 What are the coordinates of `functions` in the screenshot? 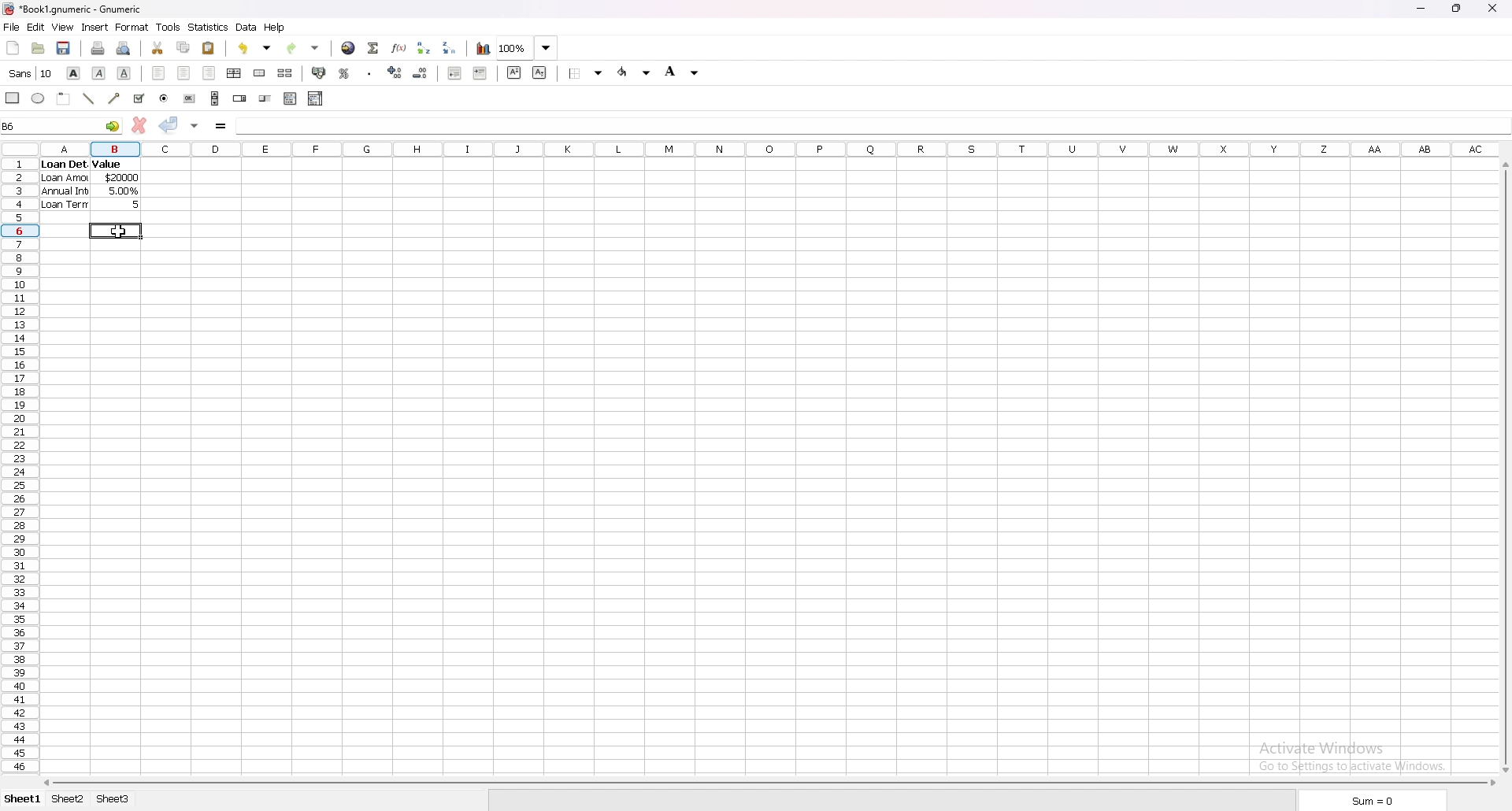 It's located at (400, 49).